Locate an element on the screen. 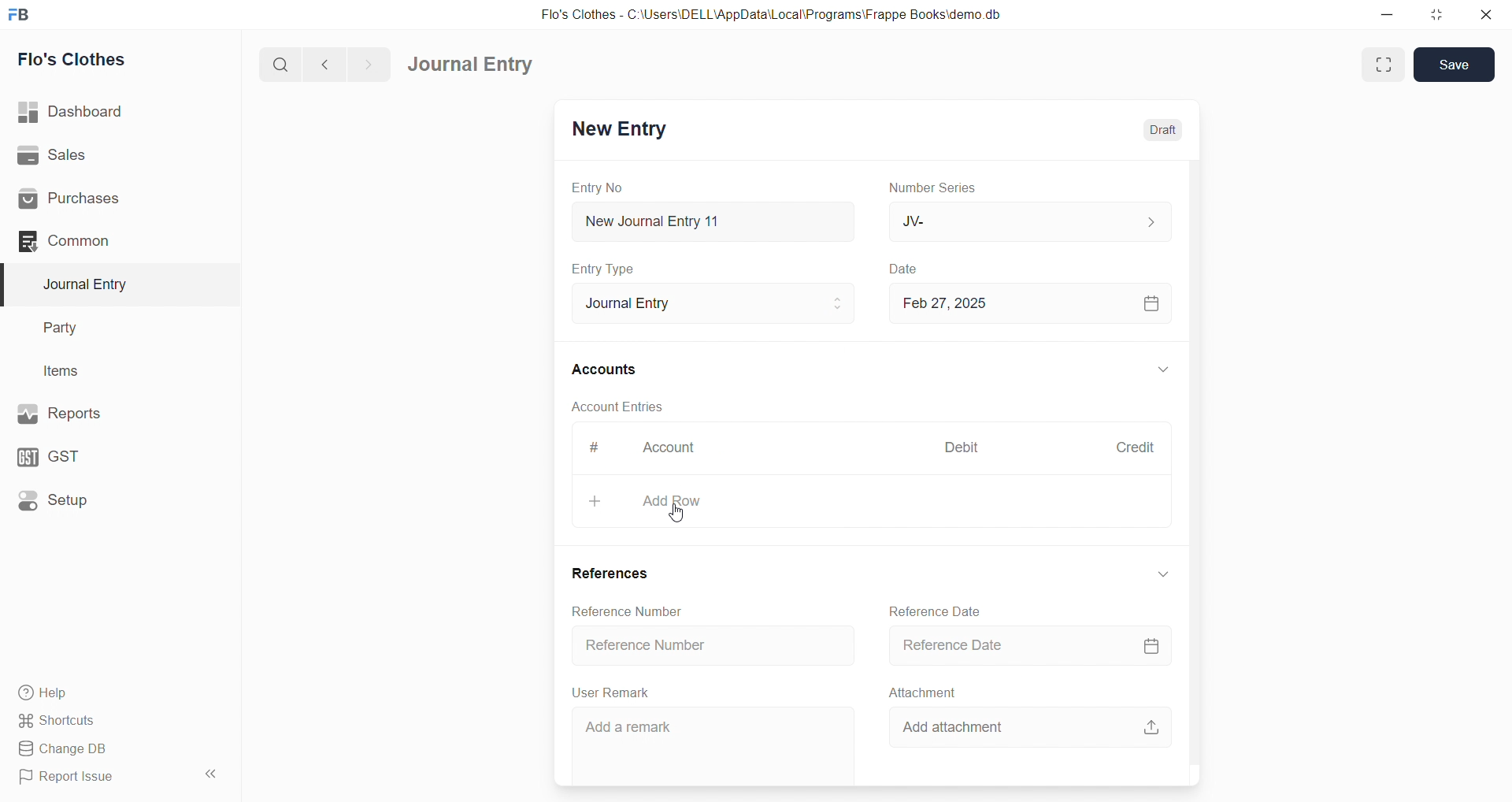  navigate forward is located at coordinates (372, 64).